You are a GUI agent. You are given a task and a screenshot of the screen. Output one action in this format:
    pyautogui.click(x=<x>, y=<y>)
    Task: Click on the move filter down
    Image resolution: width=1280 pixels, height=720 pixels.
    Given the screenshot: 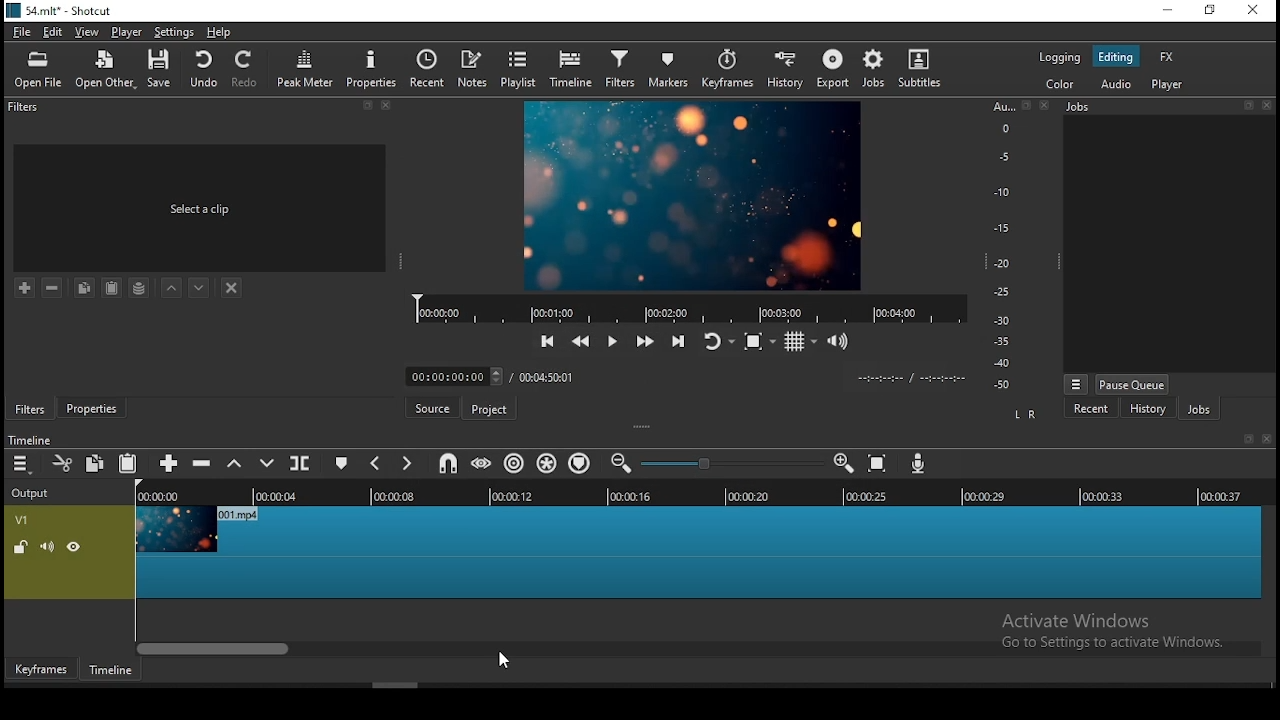 What is the action you would take?
    pyautogui.click(x=199, y=288)
    